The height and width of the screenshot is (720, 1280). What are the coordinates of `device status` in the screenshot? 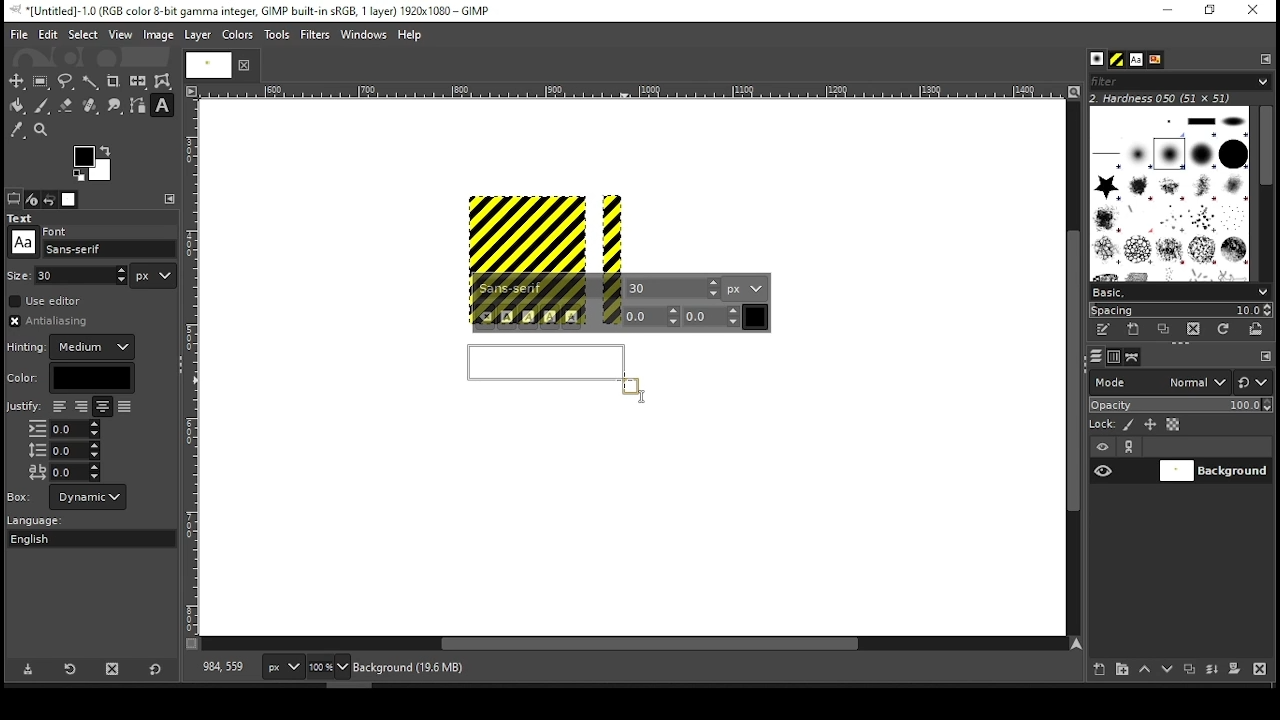 It's located at (32, 199).